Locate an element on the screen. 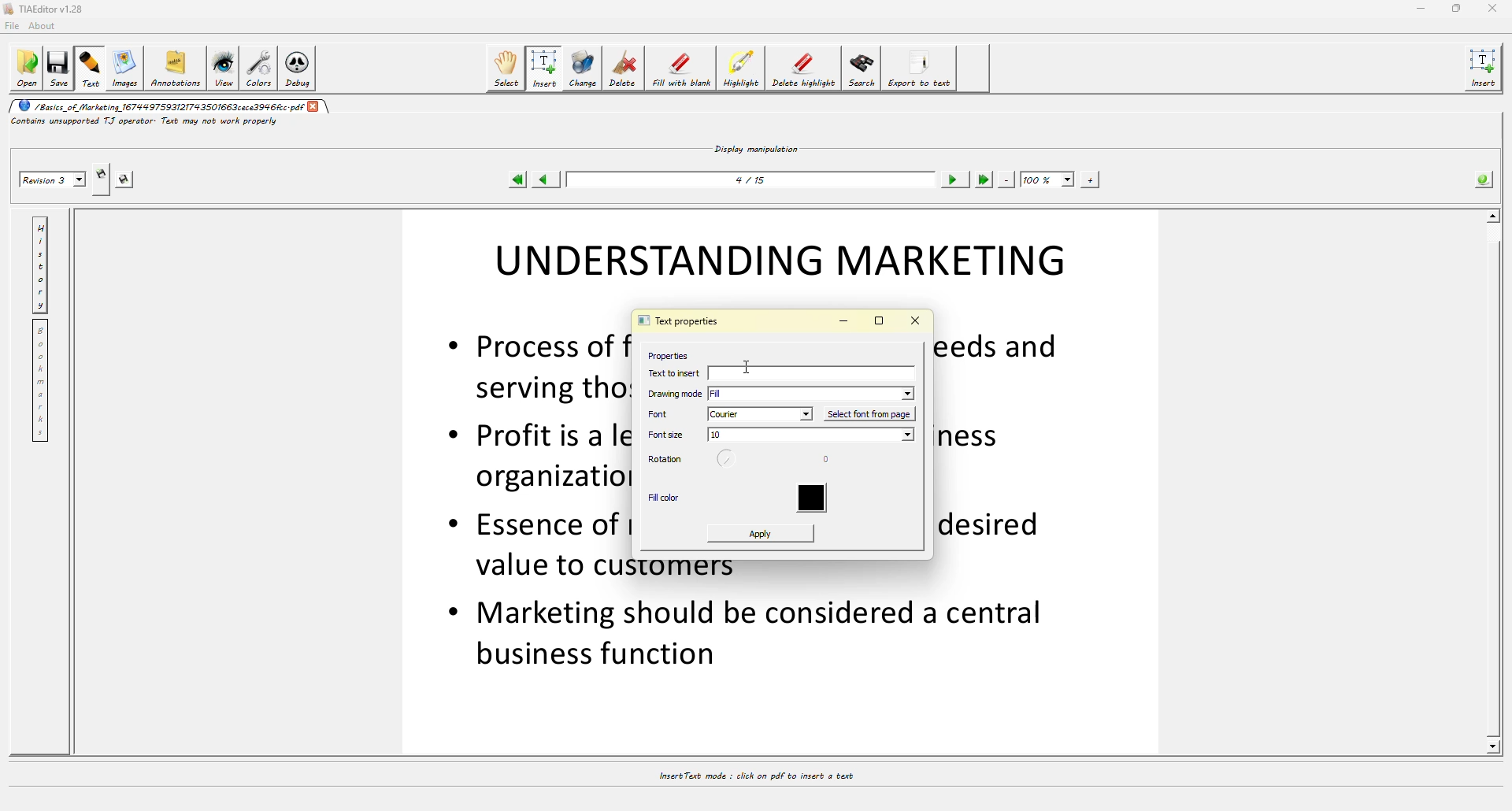  saves the revision is located at coordinates (127, 181).